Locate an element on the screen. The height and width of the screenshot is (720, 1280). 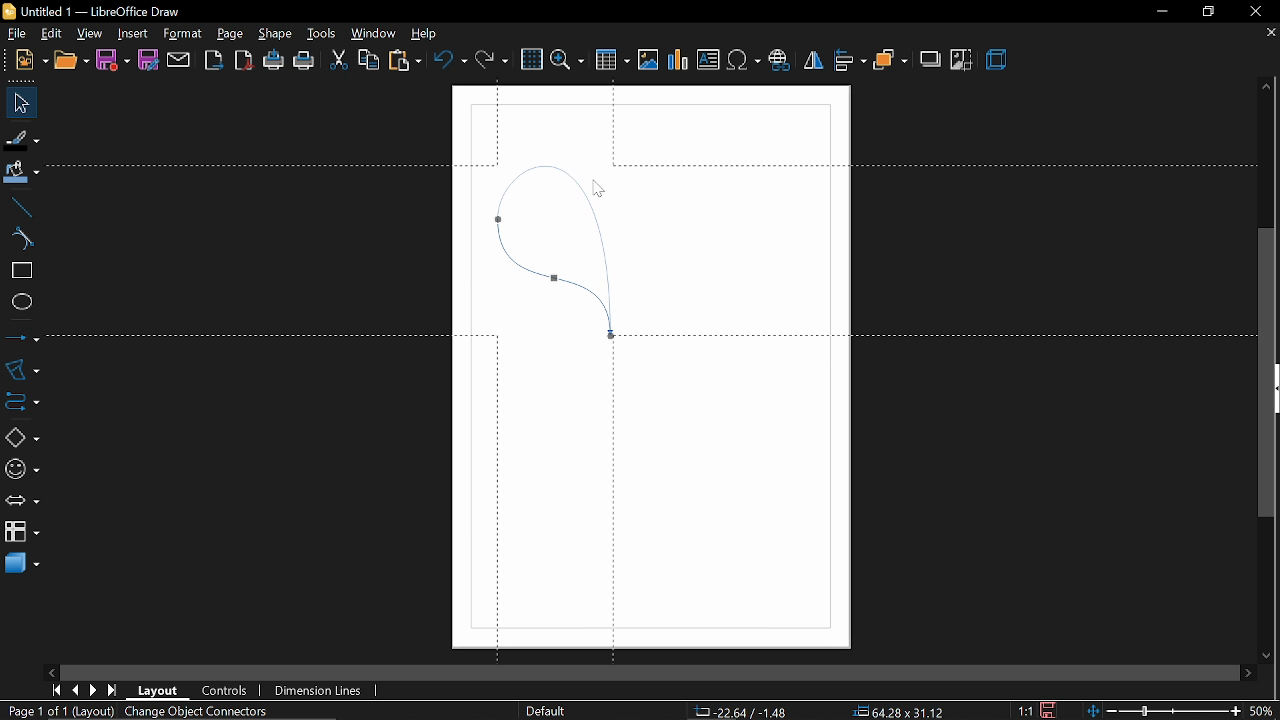
grid is located at coordinates (530, 59).